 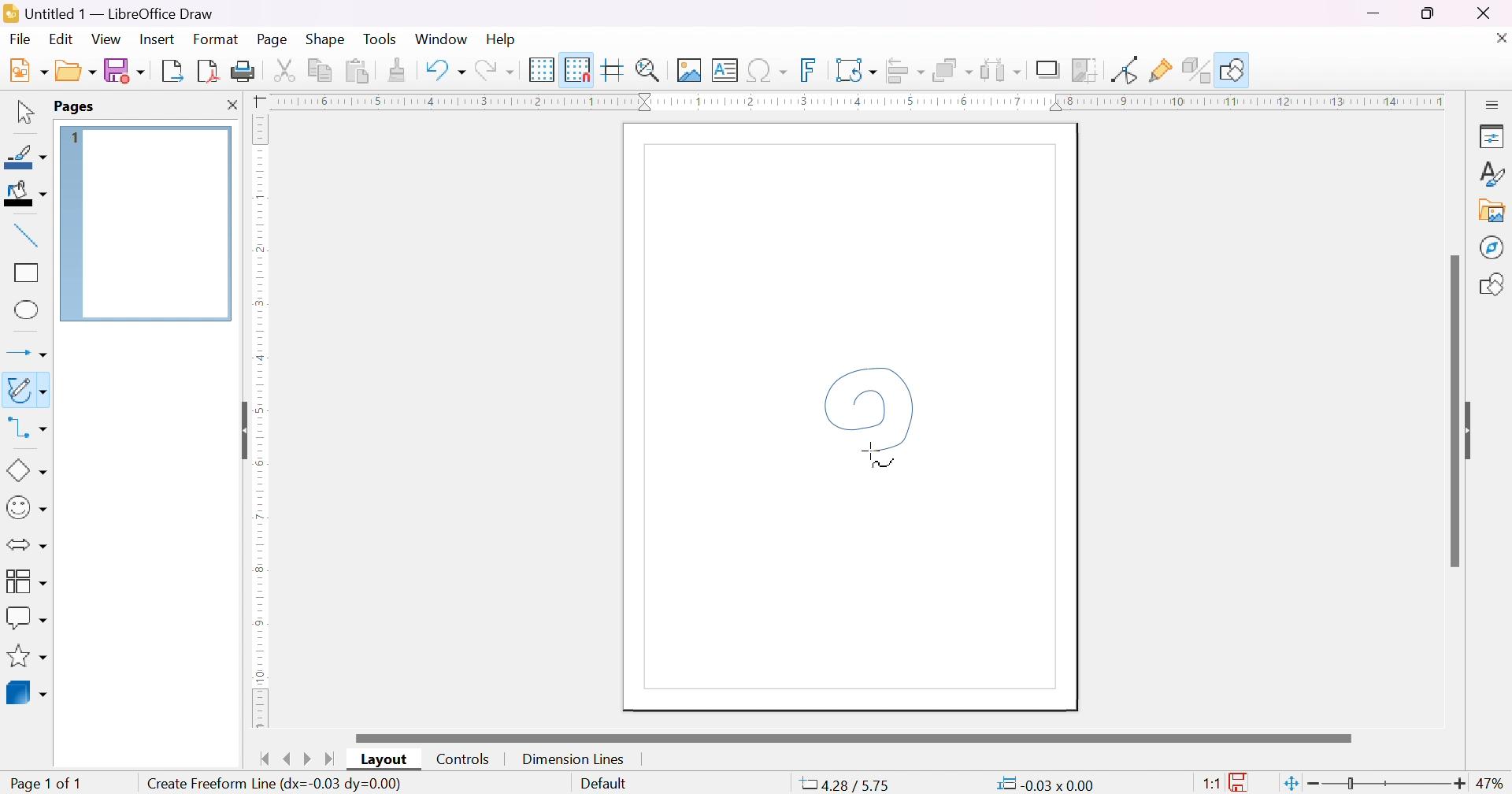 I want to click on 1:1, so click(x=1213, y=785).